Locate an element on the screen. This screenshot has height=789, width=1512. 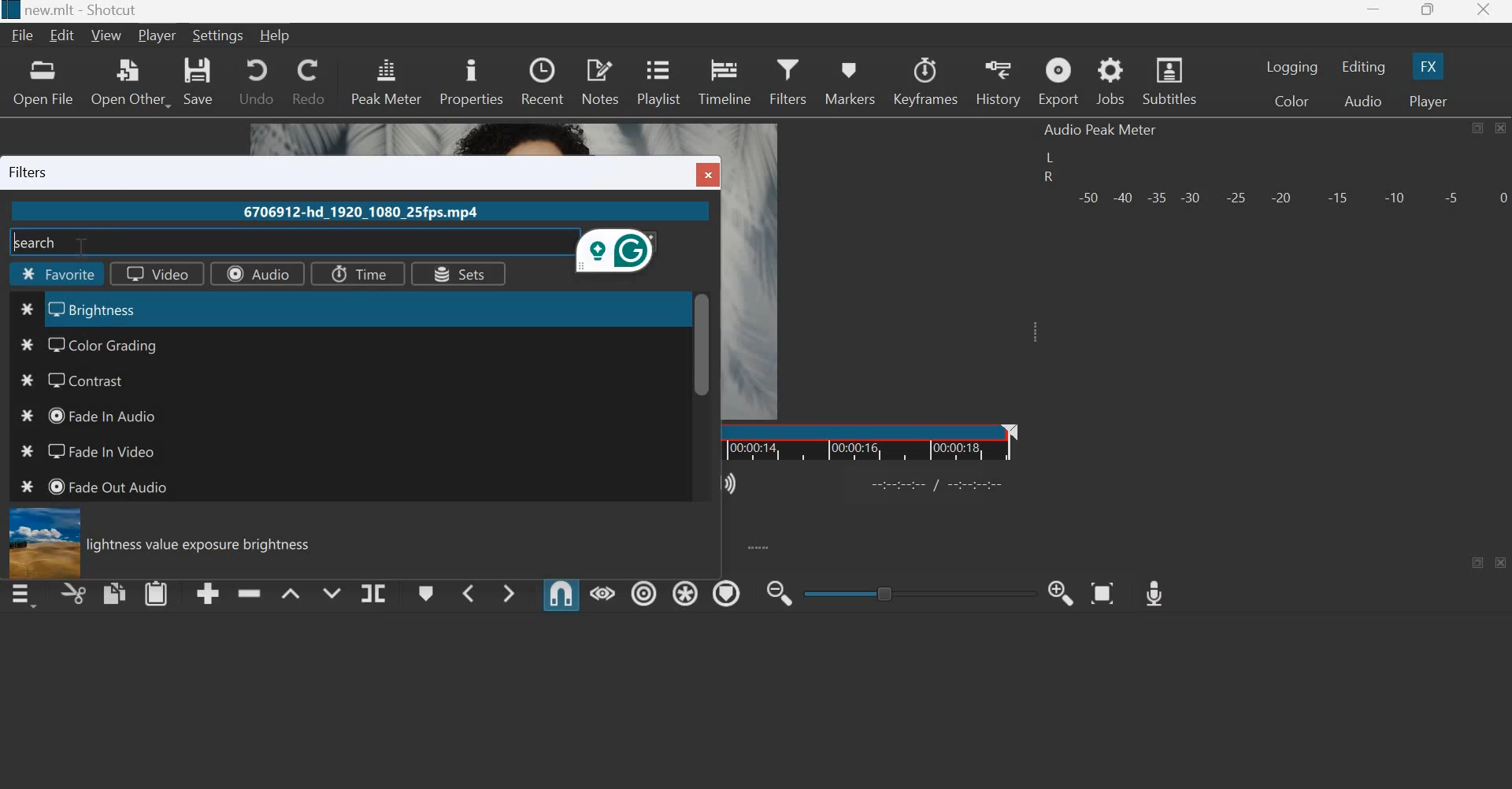
Ripple is located at coordinates (644, 591).